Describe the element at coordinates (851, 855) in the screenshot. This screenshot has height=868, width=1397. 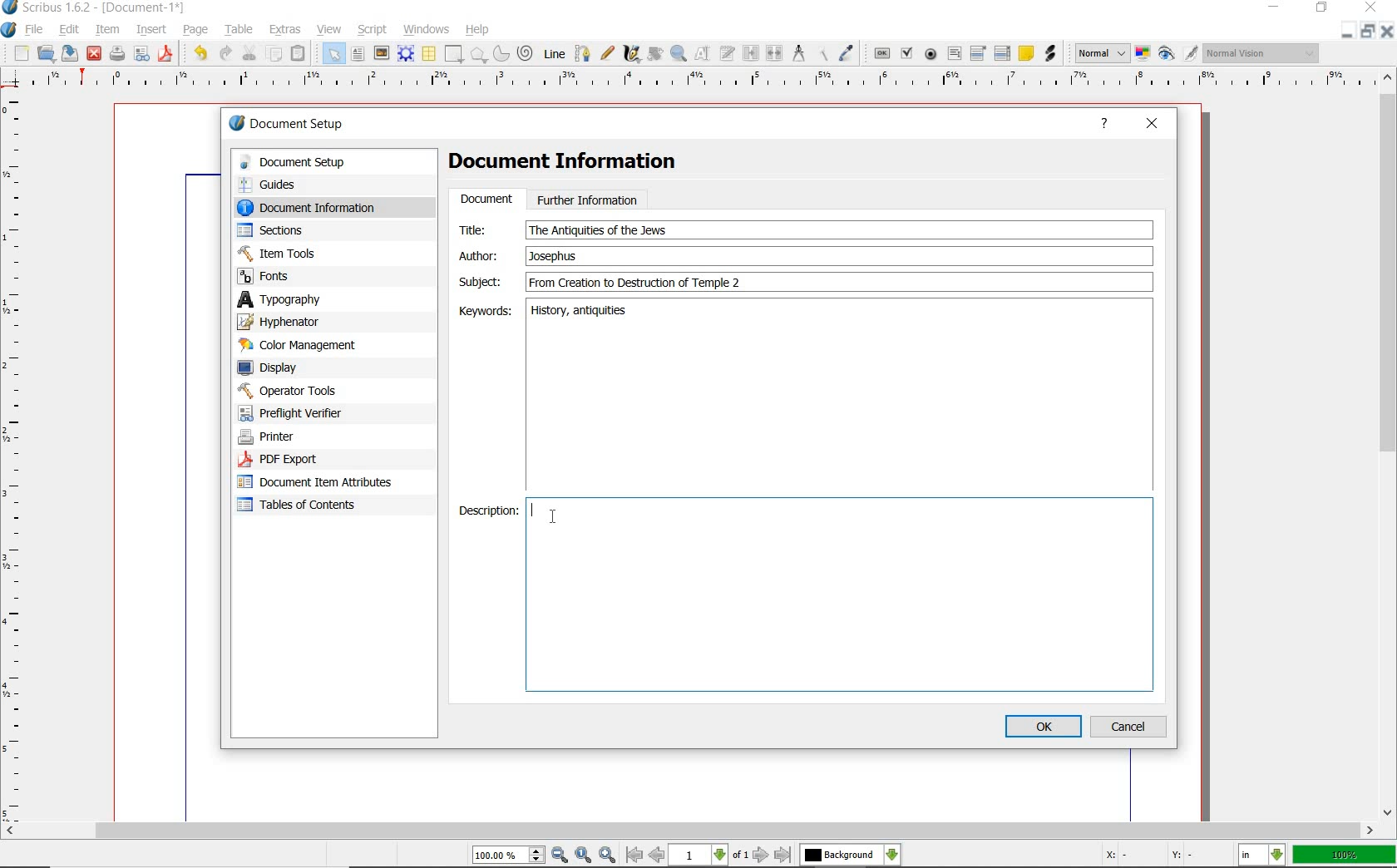
I see `select the current layer` at that location.